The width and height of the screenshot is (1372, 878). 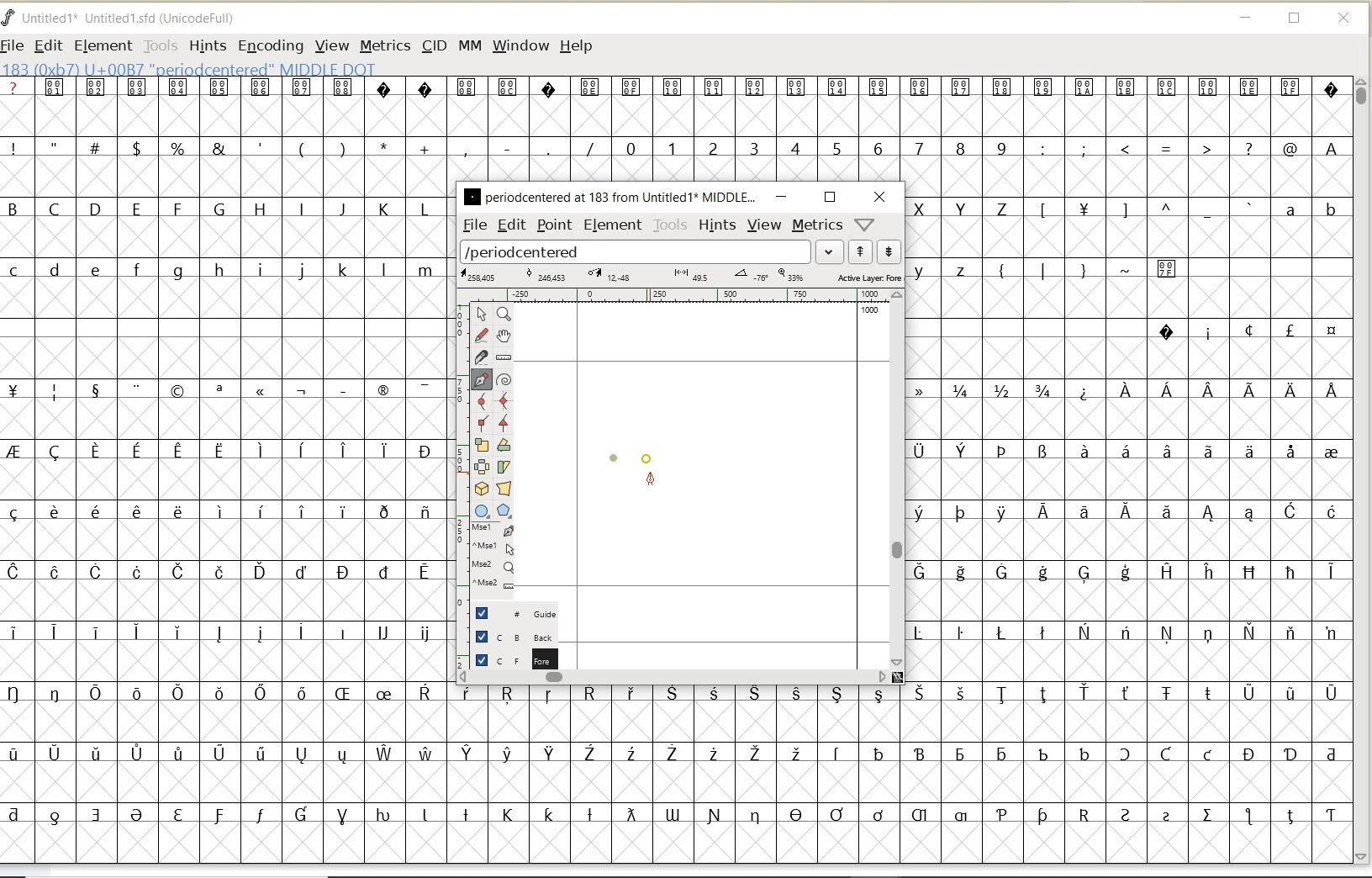 What do you see at coordinates (950, 269) in the screenshot?
I see `lowercase letters` at bounding box center [950, 269].